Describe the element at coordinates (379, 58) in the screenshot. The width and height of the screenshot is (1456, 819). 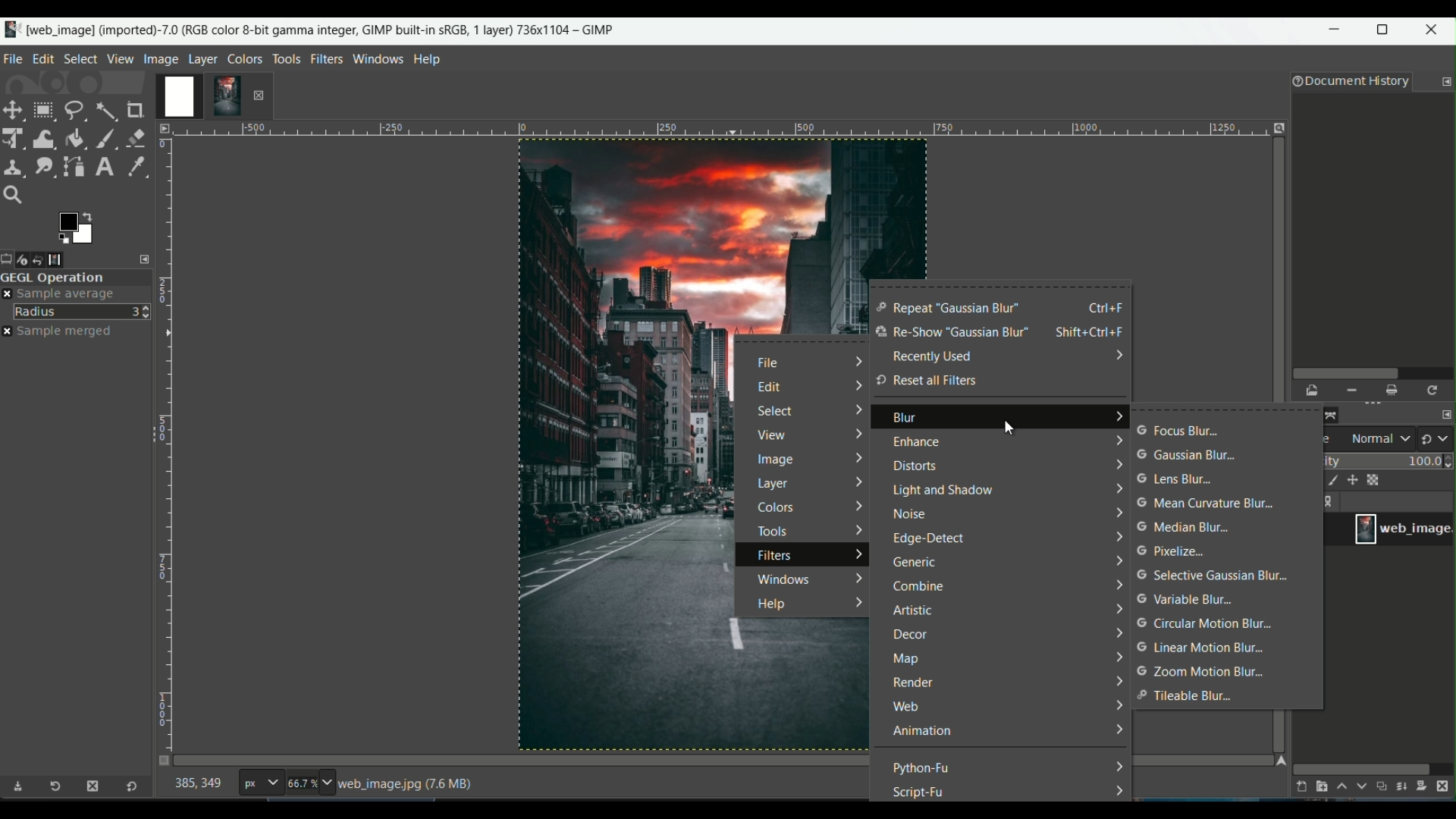
I see `windows tab` at that location.